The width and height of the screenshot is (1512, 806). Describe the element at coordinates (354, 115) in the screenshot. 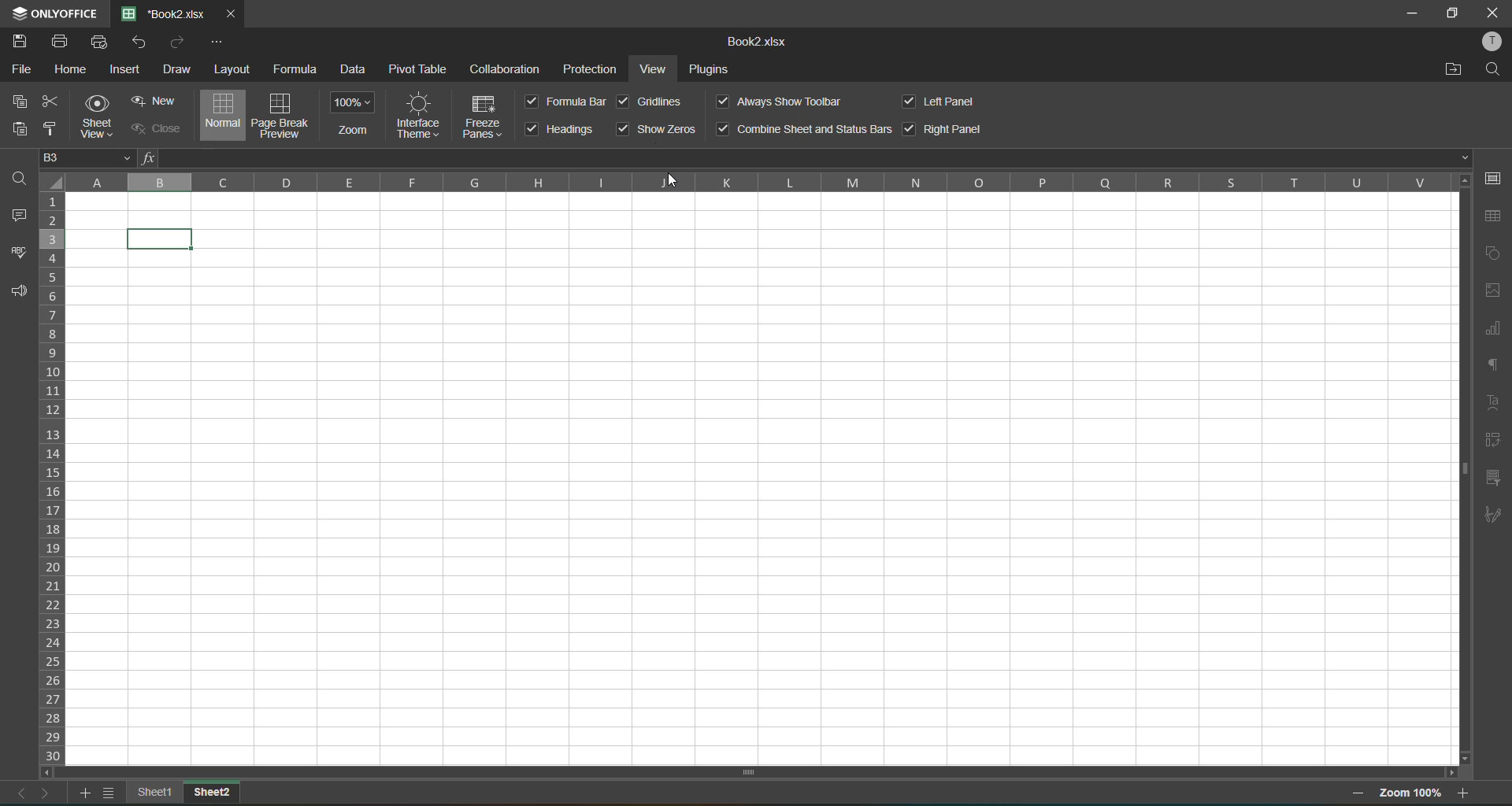

I see `zoom` at that location.